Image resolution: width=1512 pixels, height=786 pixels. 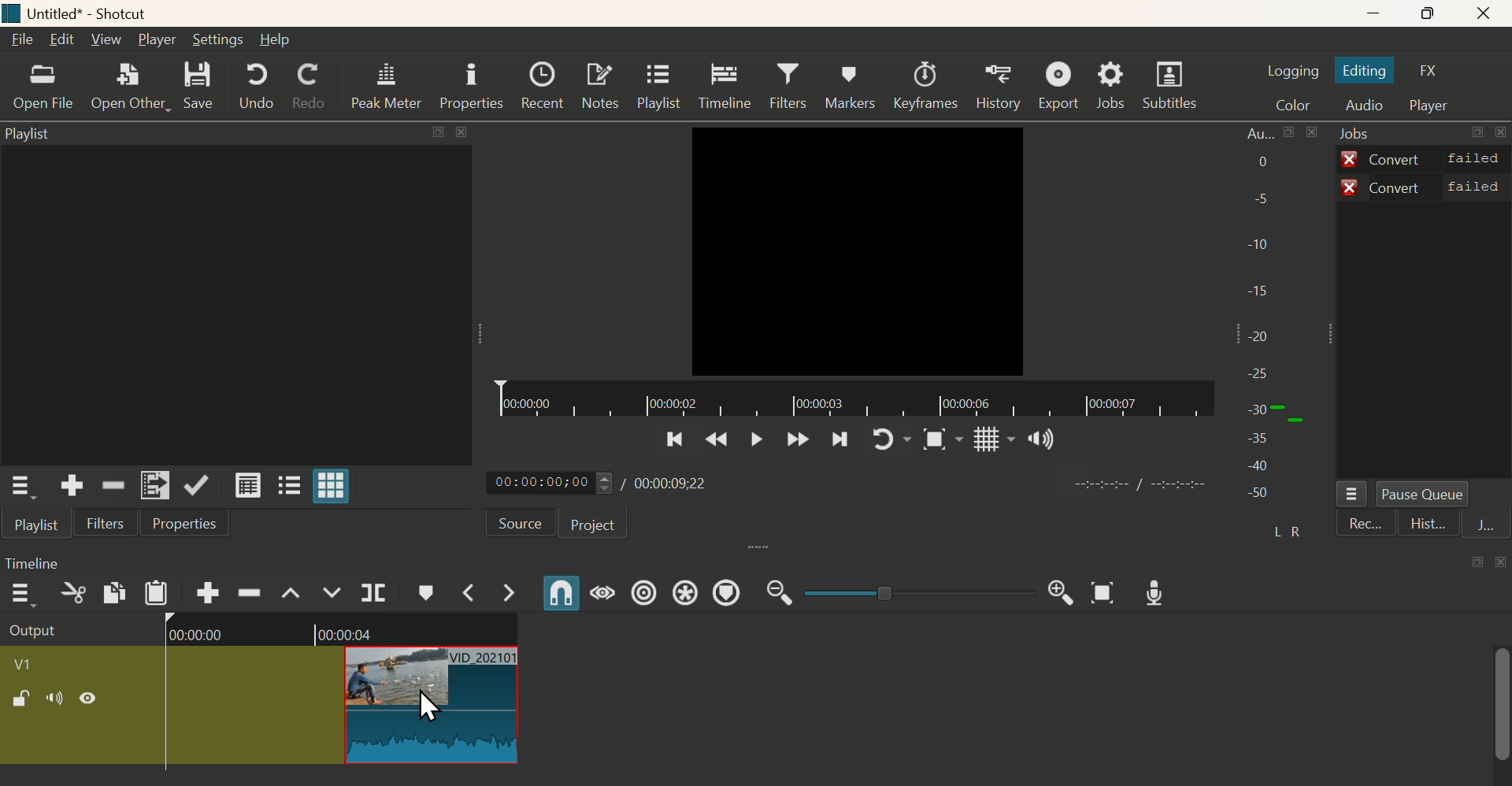 What do you see at coordinates (642, 593) in the screenshot?
I see `` at bounding box center [642, 593].